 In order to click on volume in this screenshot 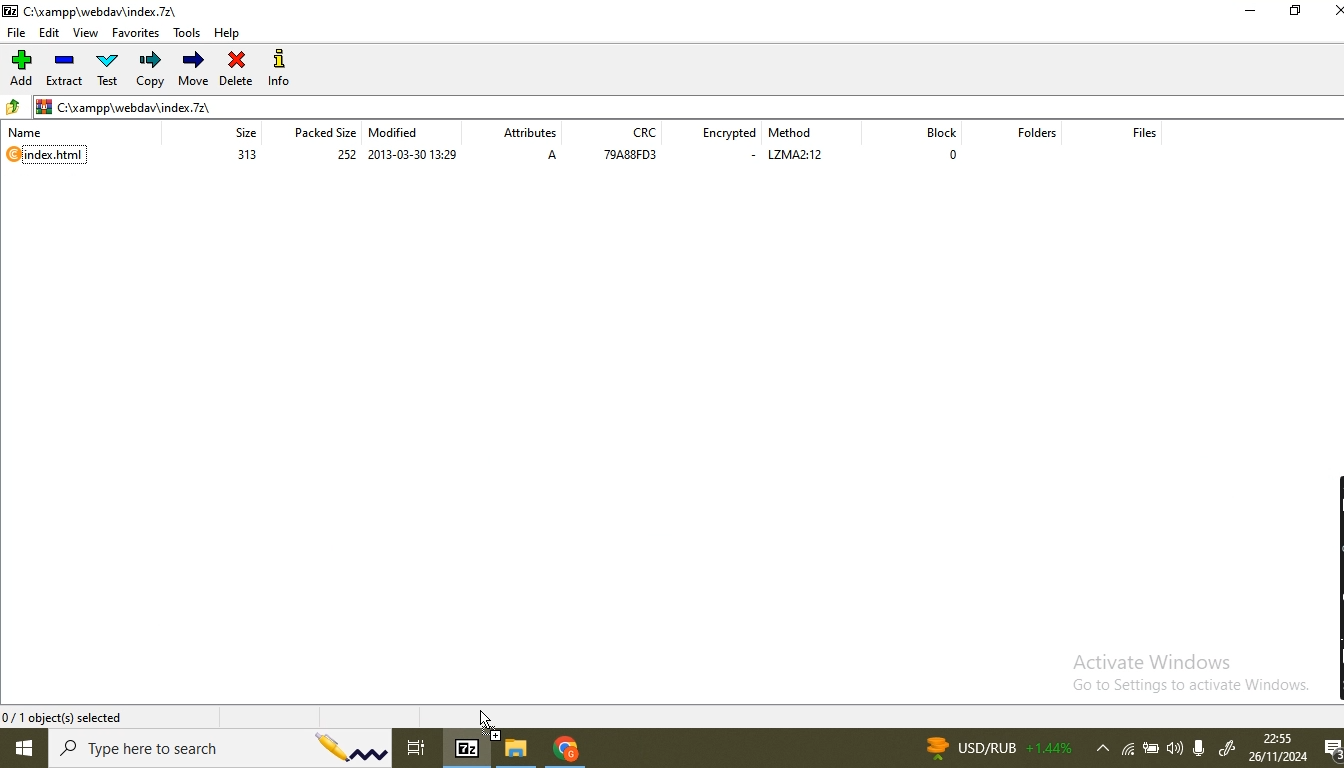, I will do `click(1176, 748)`.